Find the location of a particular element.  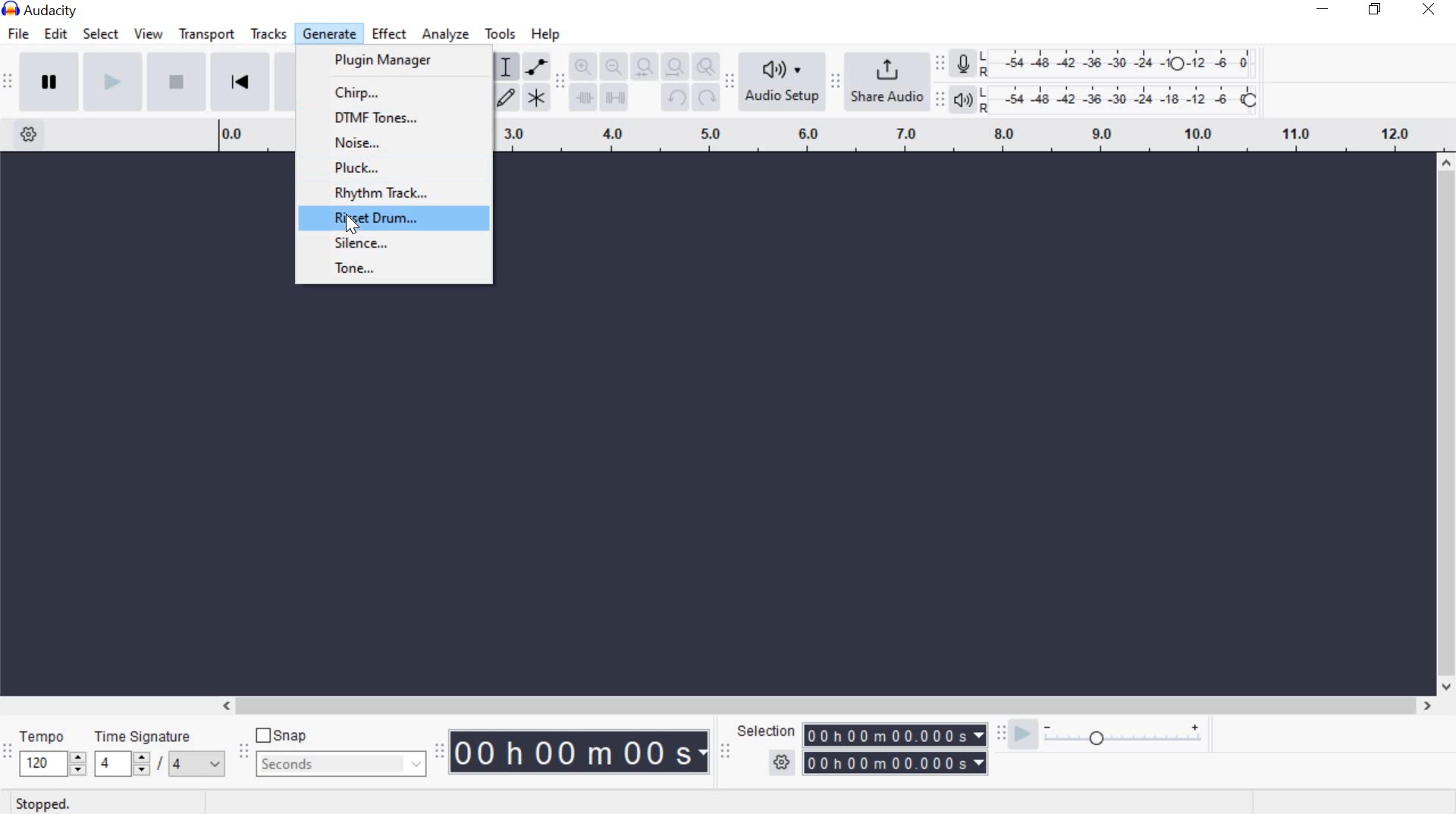

Skip to Start is located at coordinates (240, 80).